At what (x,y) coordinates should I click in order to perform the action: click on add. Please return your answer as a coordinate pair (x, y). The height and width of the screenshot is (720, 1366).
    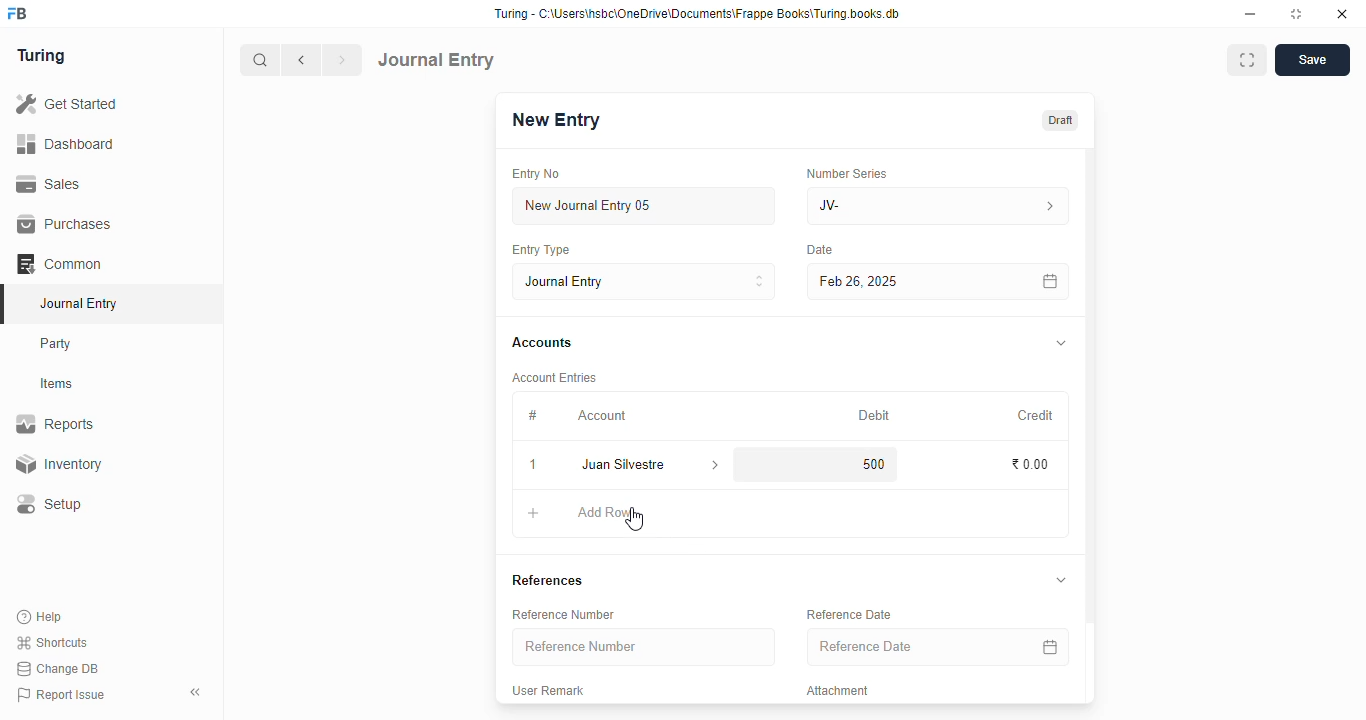
    Looking at the image, I should click on (534, 516).